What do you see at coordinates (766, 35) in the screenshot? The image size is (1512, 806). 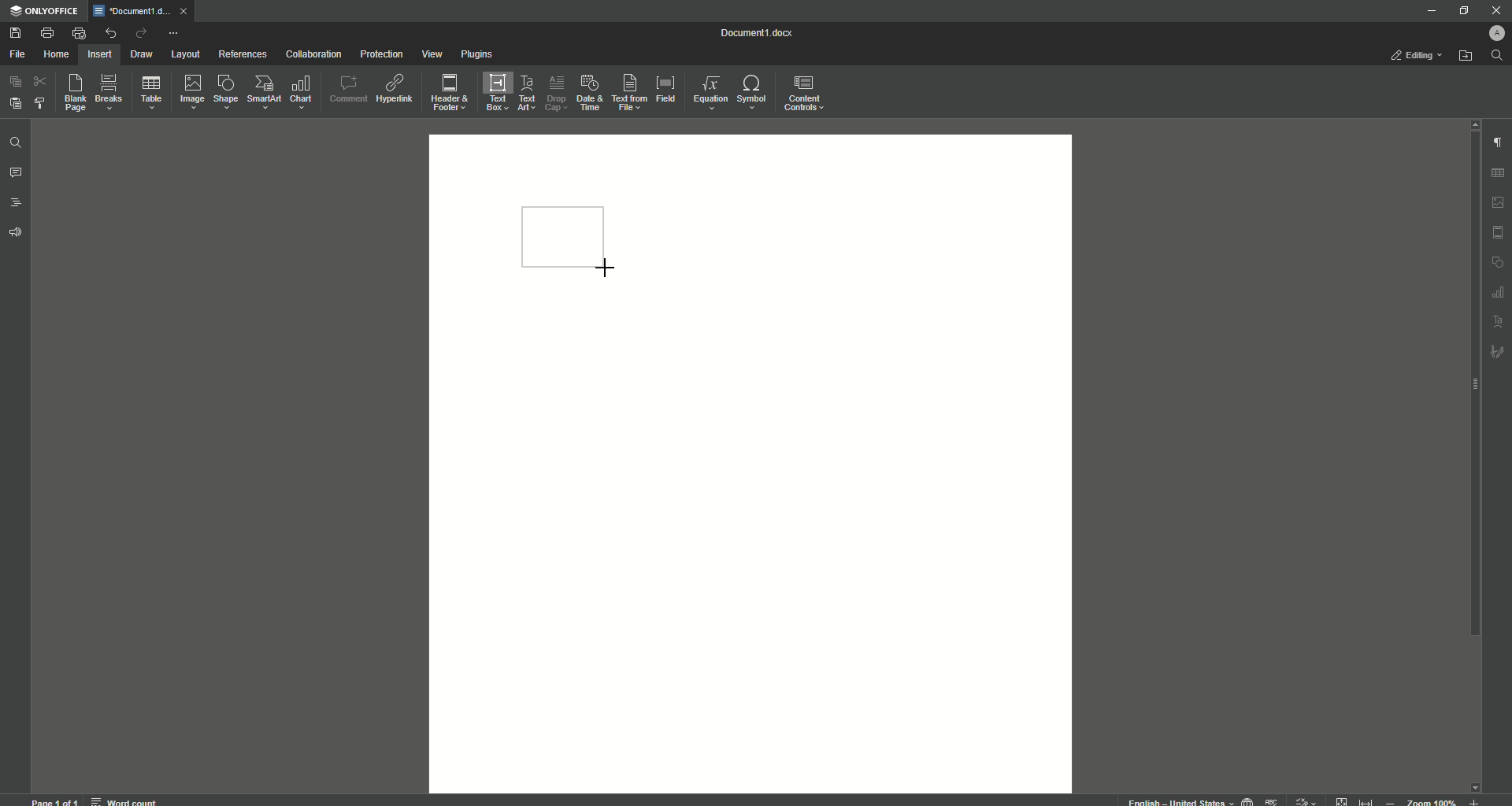 I see `Document 1` at bounding box center [766, 35].